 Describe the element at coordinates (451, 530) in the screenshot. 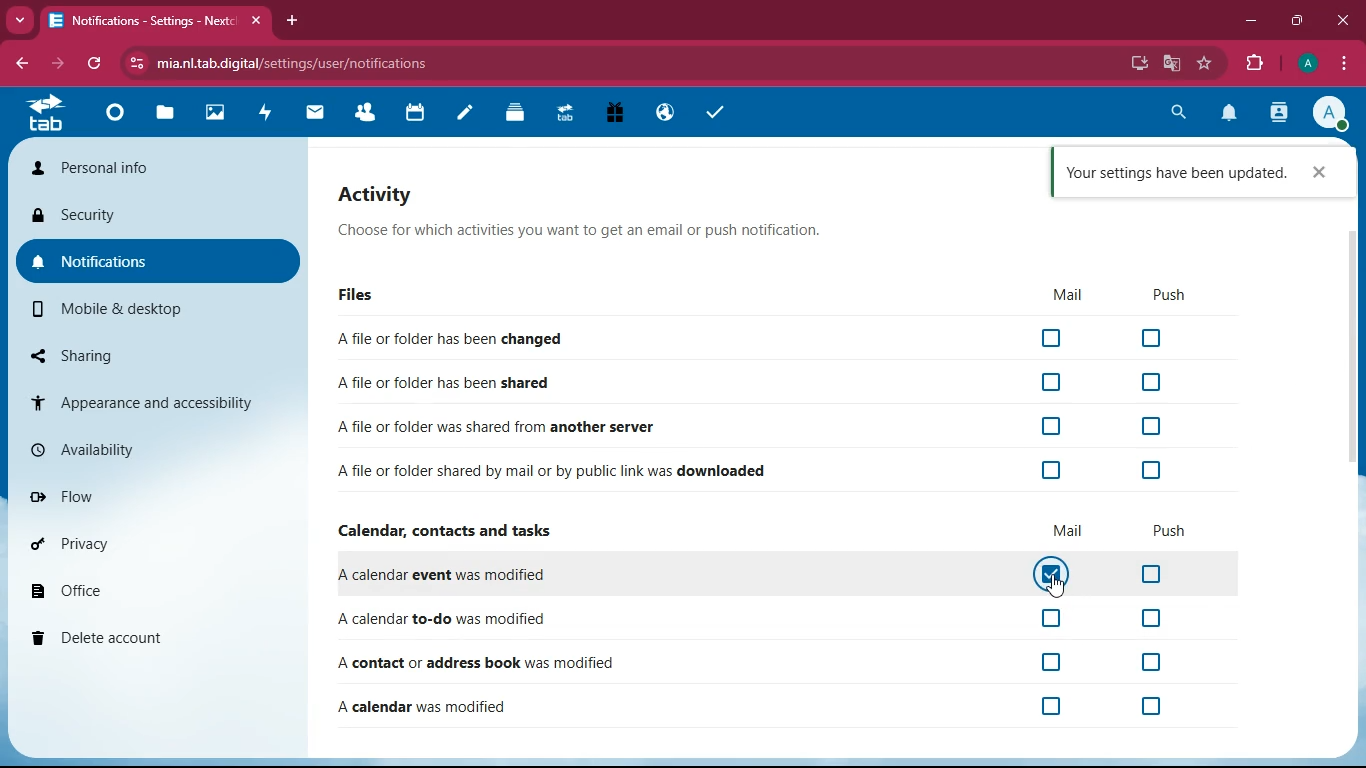

I see `Calendar, contacts and tasks` at that location.